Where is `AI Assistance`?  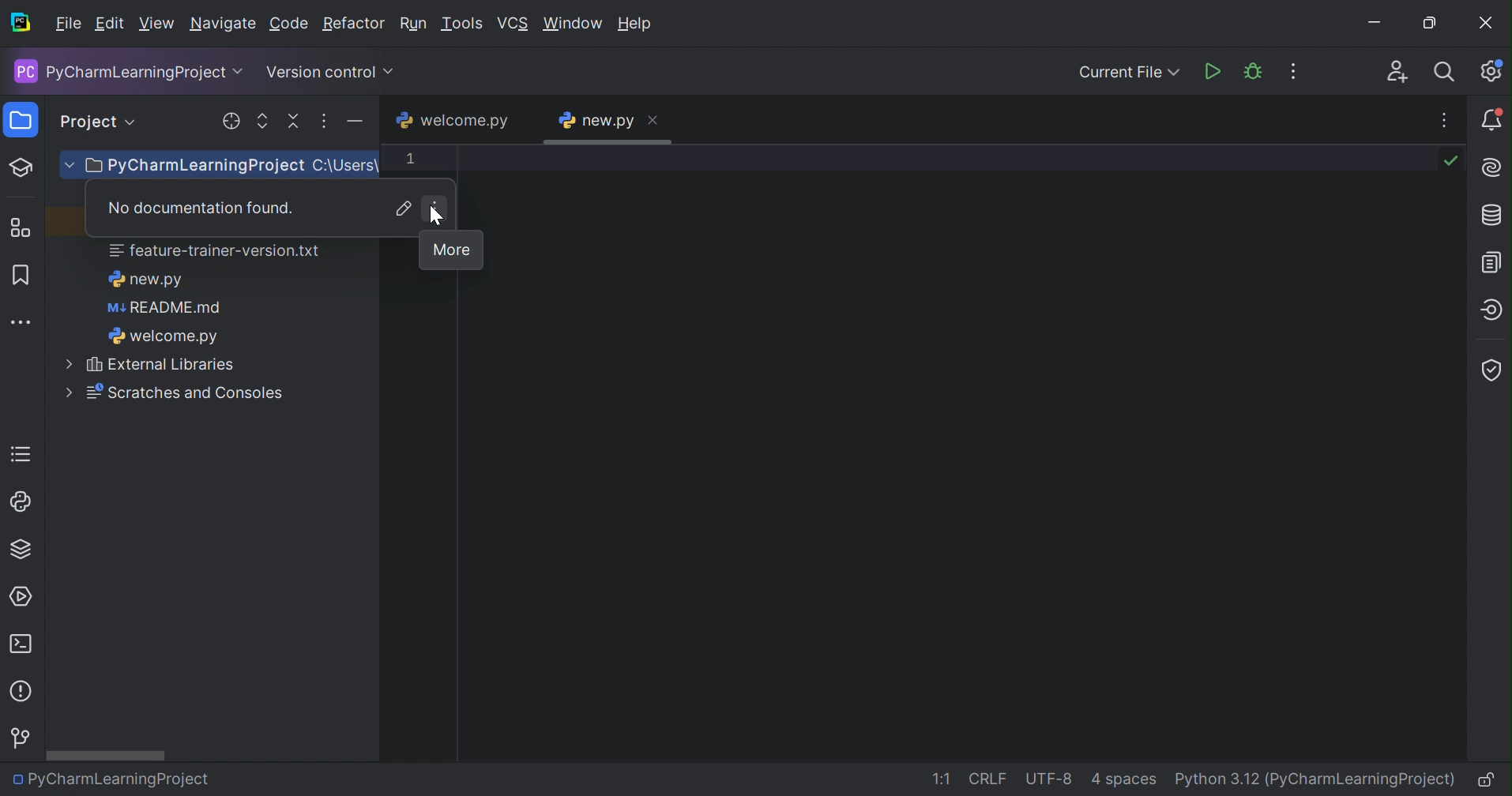 AI Assistance is located at coordinates (1494, 168).